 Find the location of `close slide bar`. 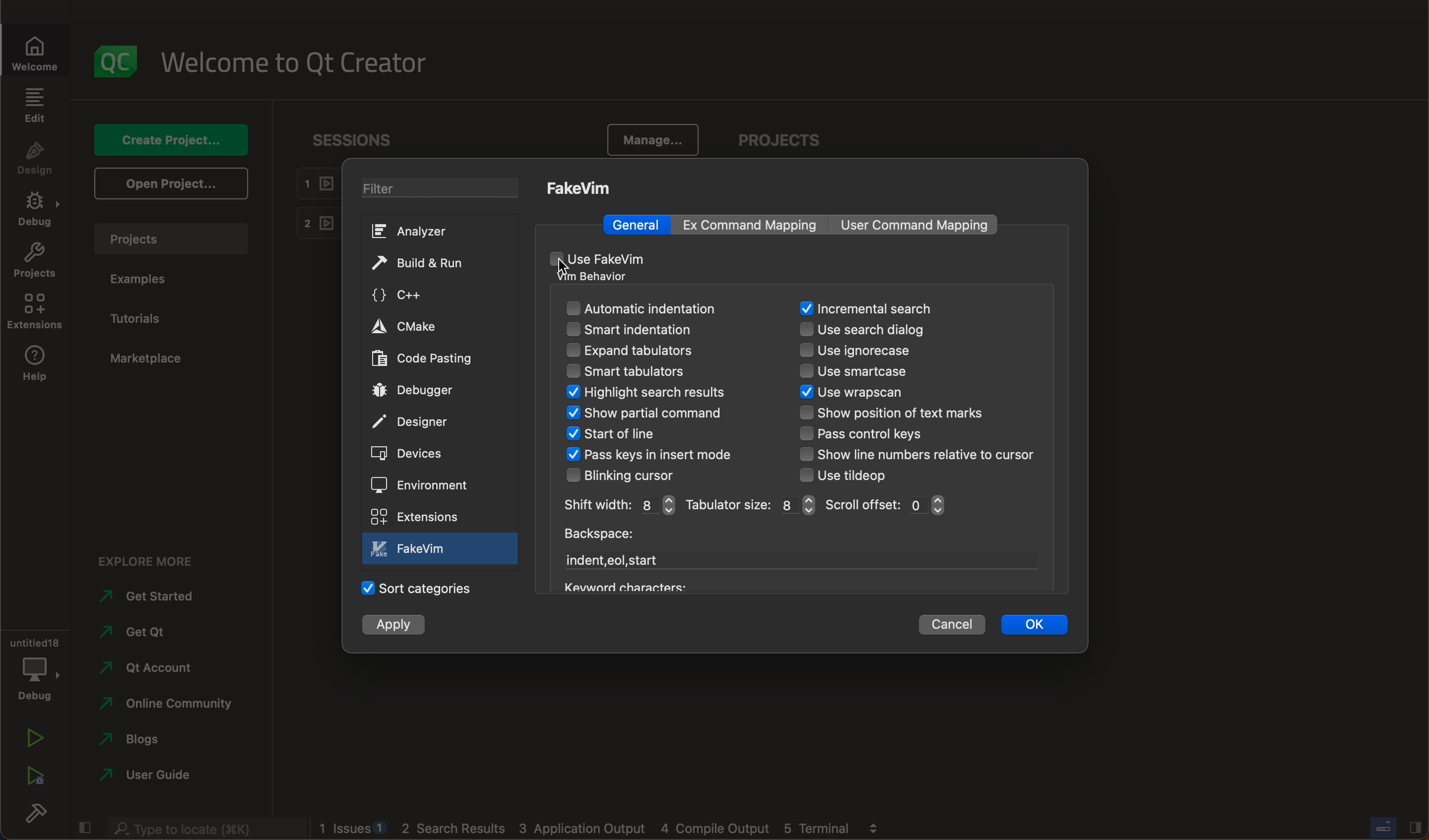

close slide bar is located at coordinates (1398, 829).